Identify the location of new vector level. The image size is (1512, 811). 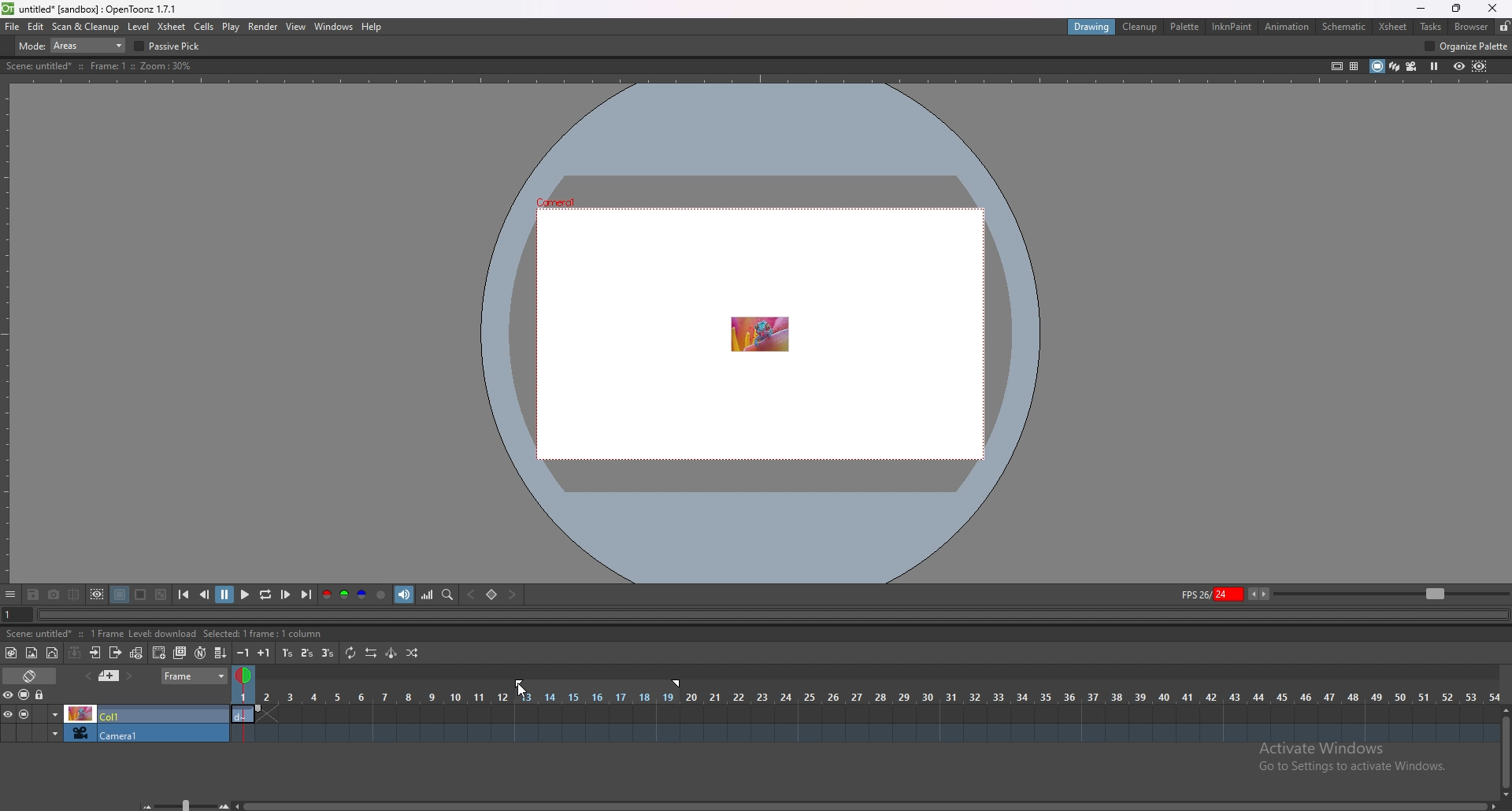
(52, 653).